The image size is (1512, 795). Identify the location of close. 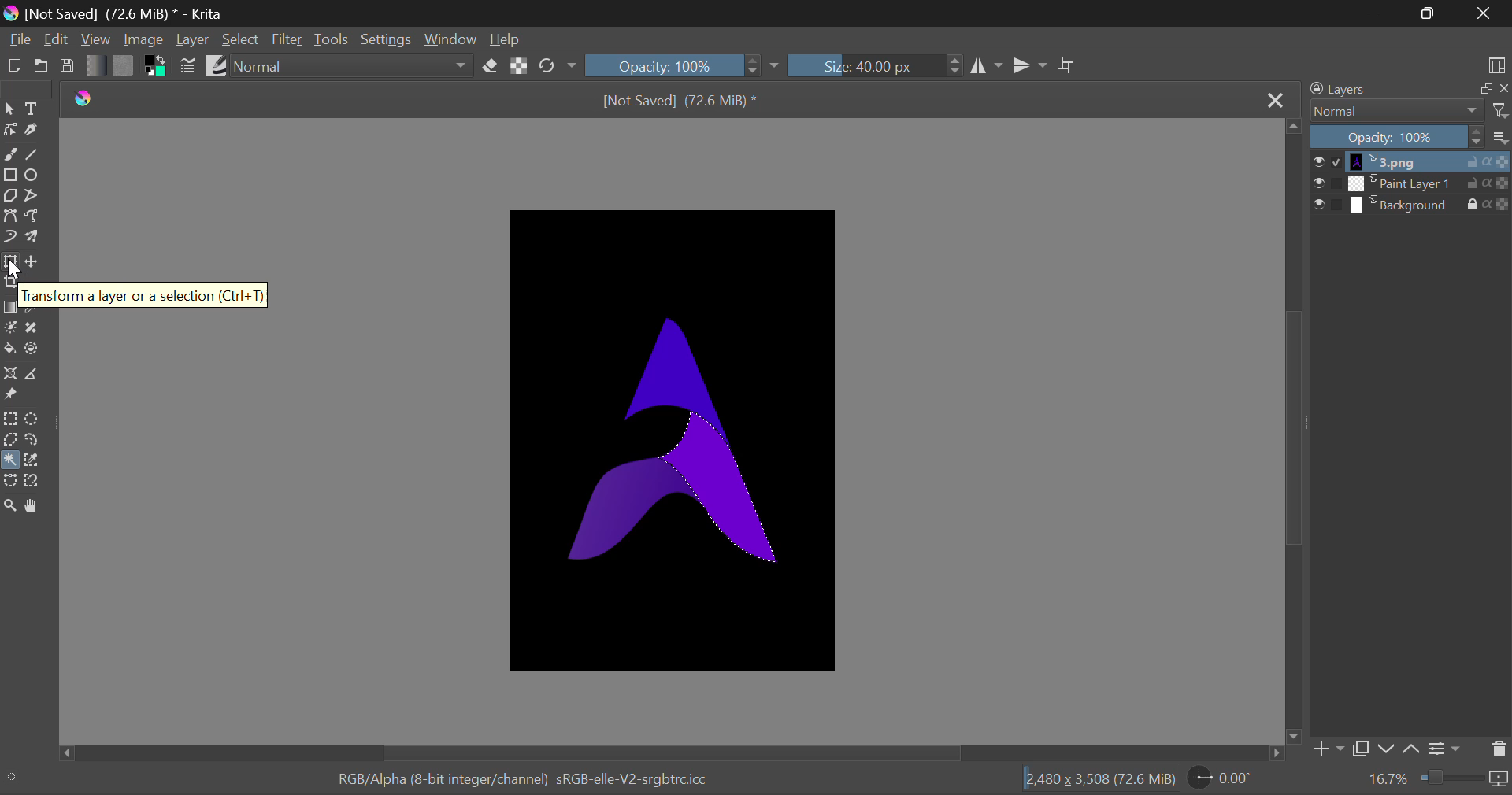
(1503, 87).